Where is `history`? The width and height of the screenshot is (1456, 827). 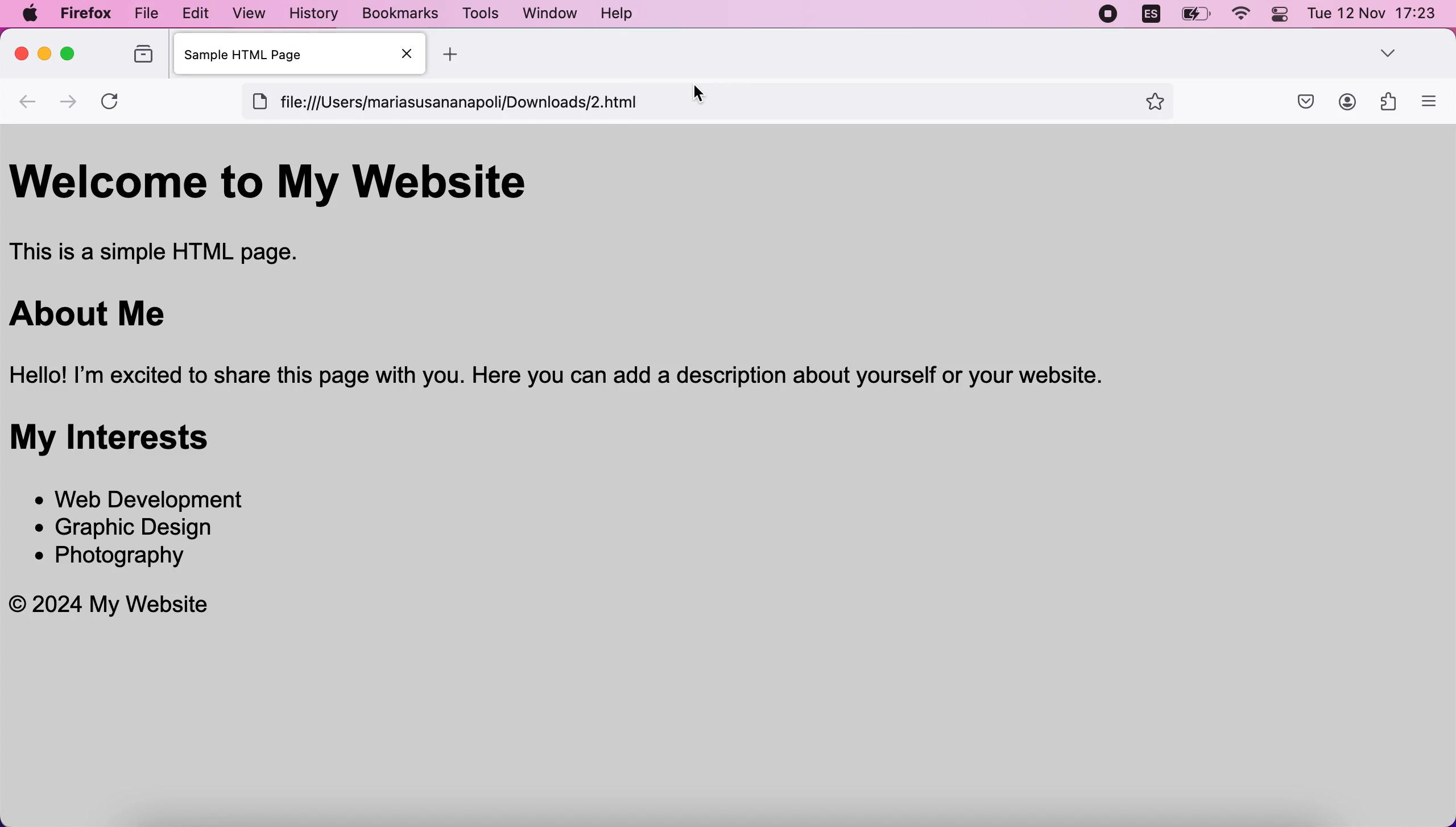 history is located at coordinates (312, 14).